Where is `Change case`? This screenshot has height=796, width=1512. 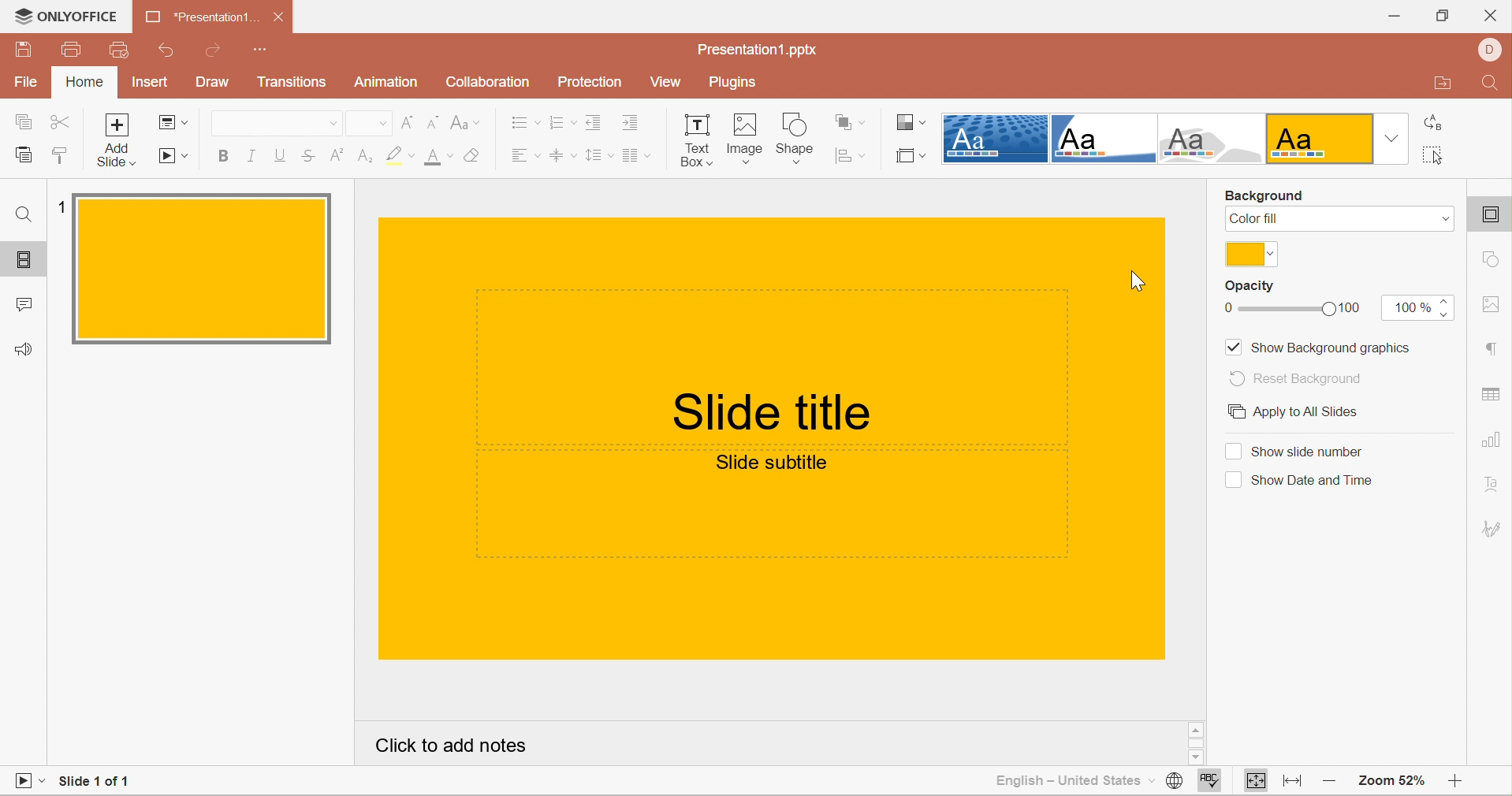
Change case is located at coordinates (462, 121).